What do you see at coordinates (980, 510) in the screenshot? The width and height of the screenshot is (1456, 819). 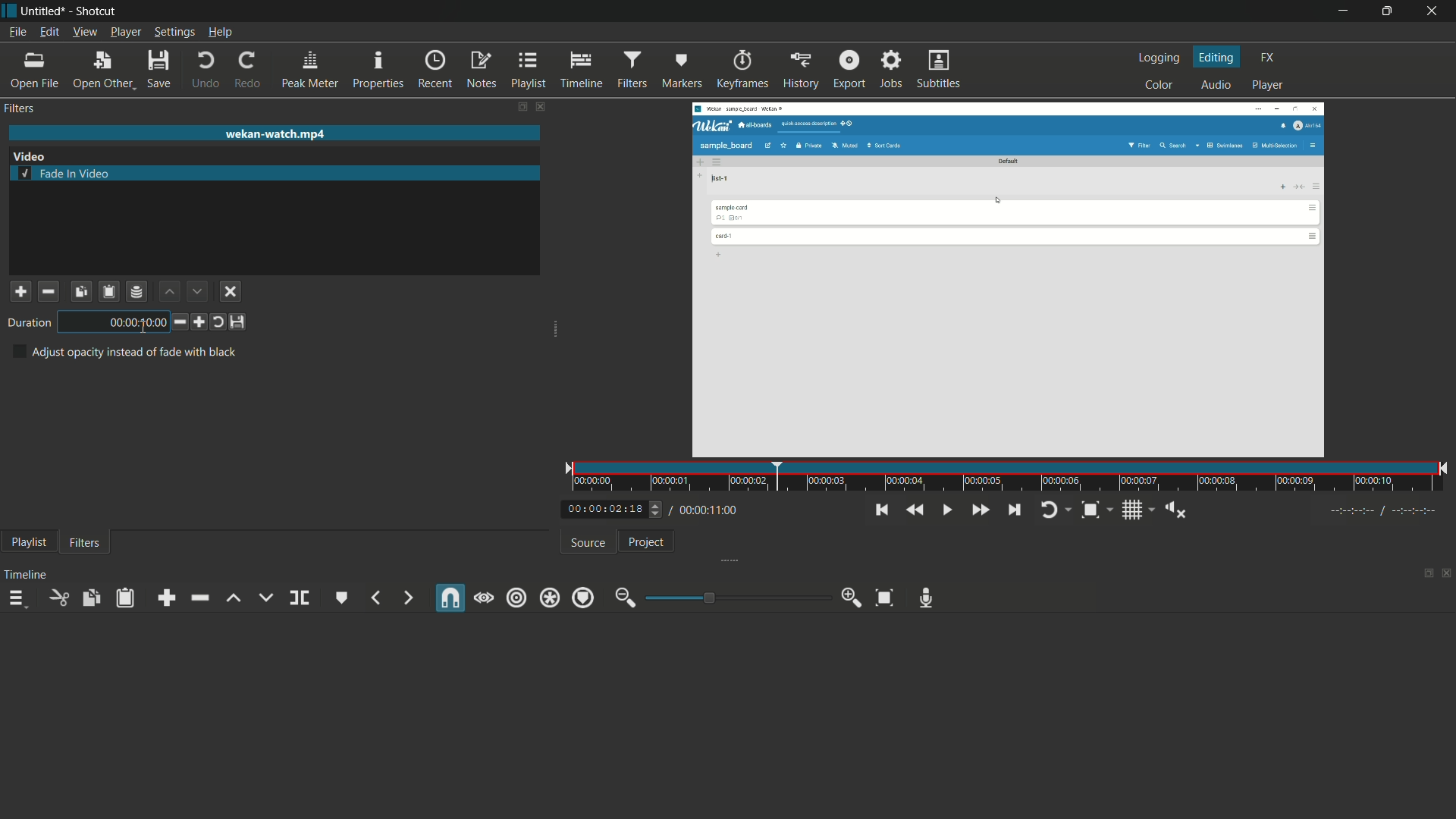 I see `quickly play forward` at bounding box center [980, 510].